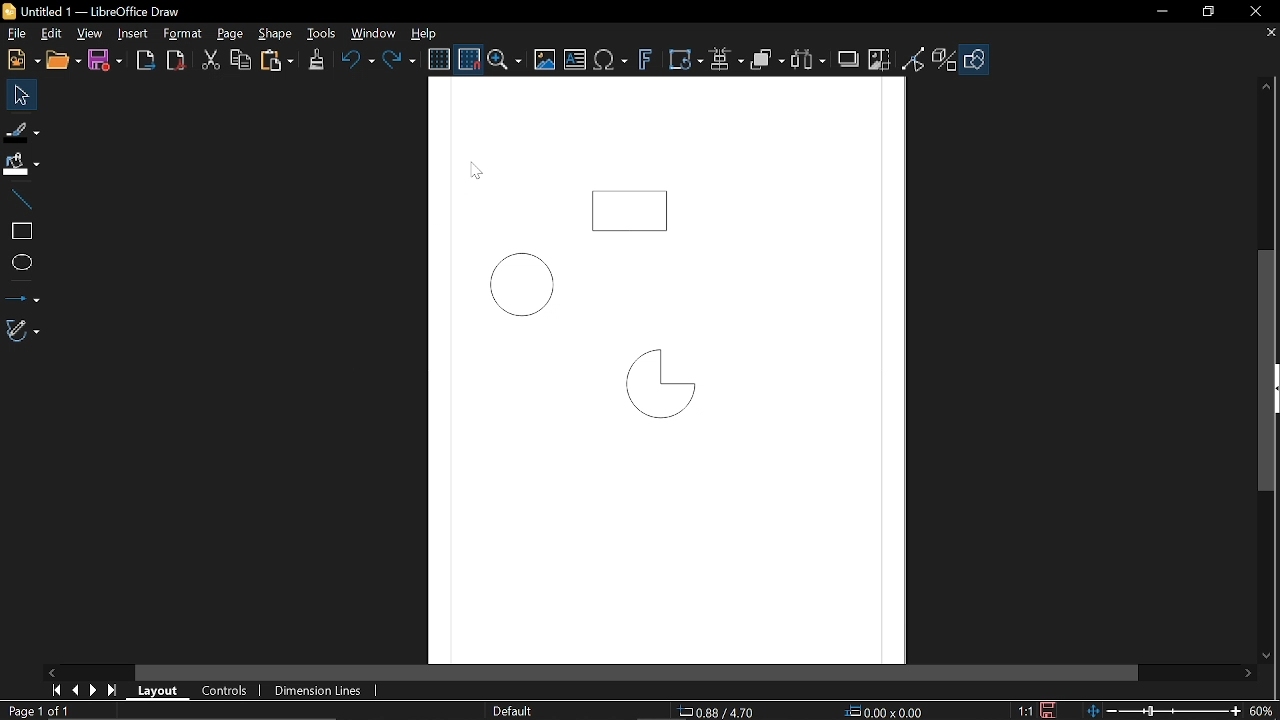  Describe the element at coordinates (20, 60) in the screenshot. I see `New` at that location.